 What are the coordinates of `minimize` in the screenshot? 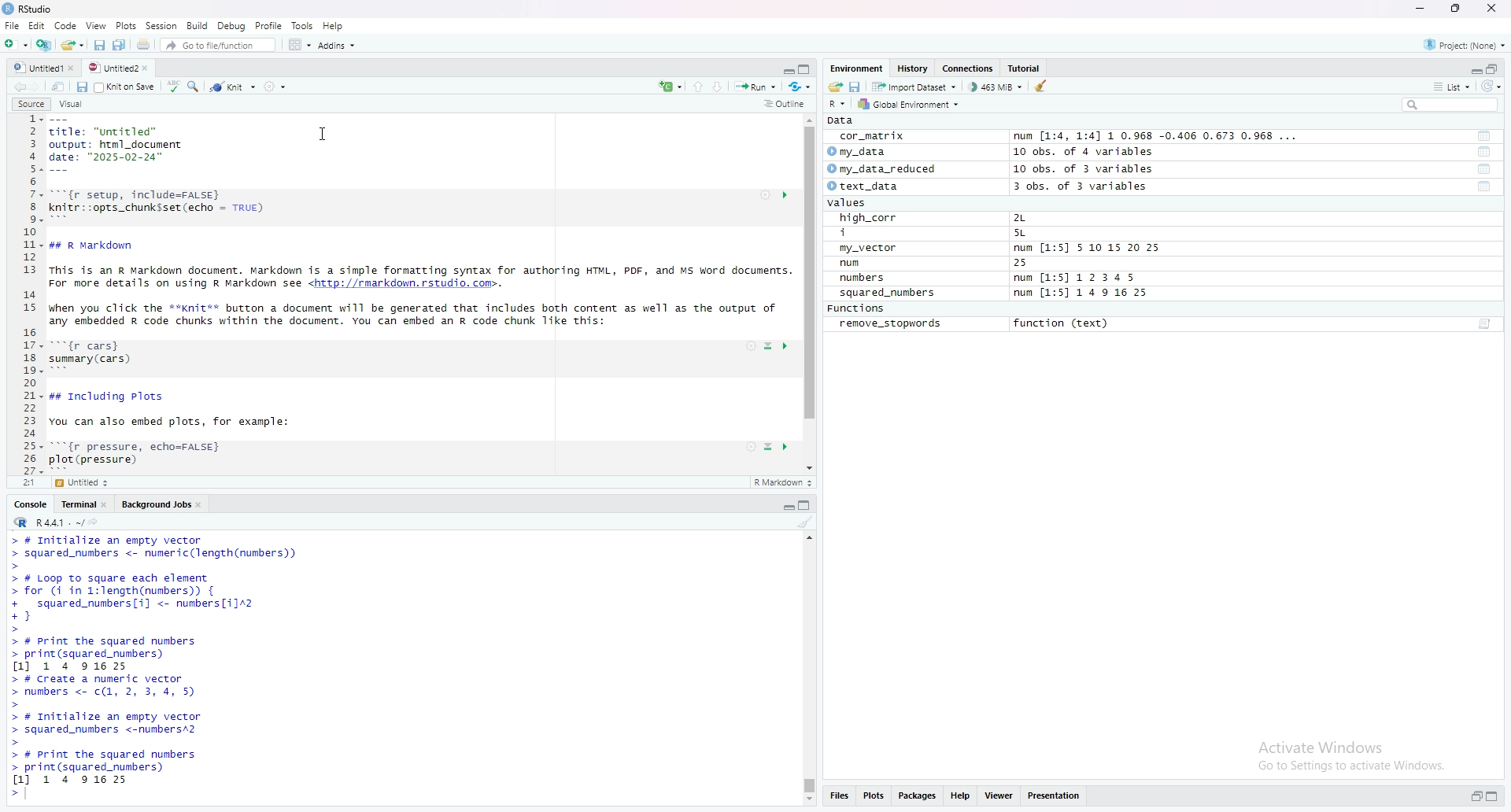 It's located at (1471, 68).